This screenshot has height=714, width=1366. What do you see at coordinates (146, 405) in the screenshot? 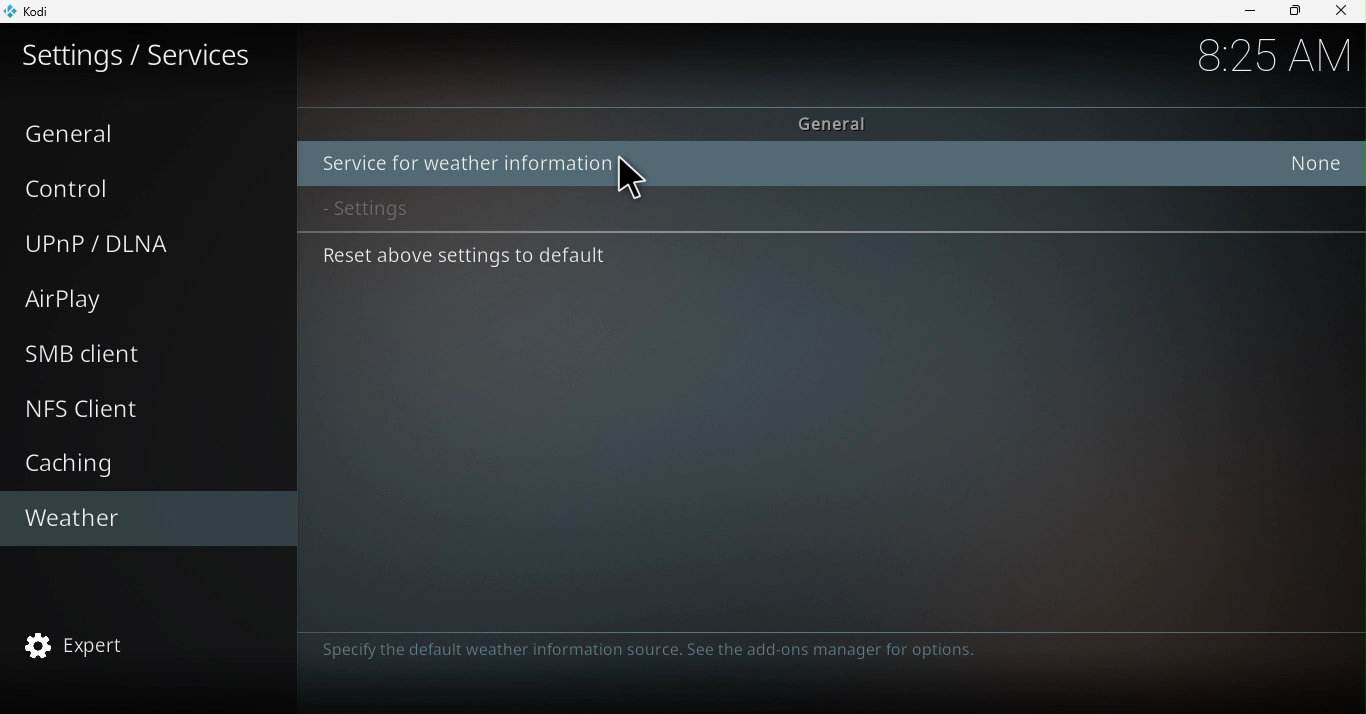
I see `NFS client` at bounding box center [146, 405].